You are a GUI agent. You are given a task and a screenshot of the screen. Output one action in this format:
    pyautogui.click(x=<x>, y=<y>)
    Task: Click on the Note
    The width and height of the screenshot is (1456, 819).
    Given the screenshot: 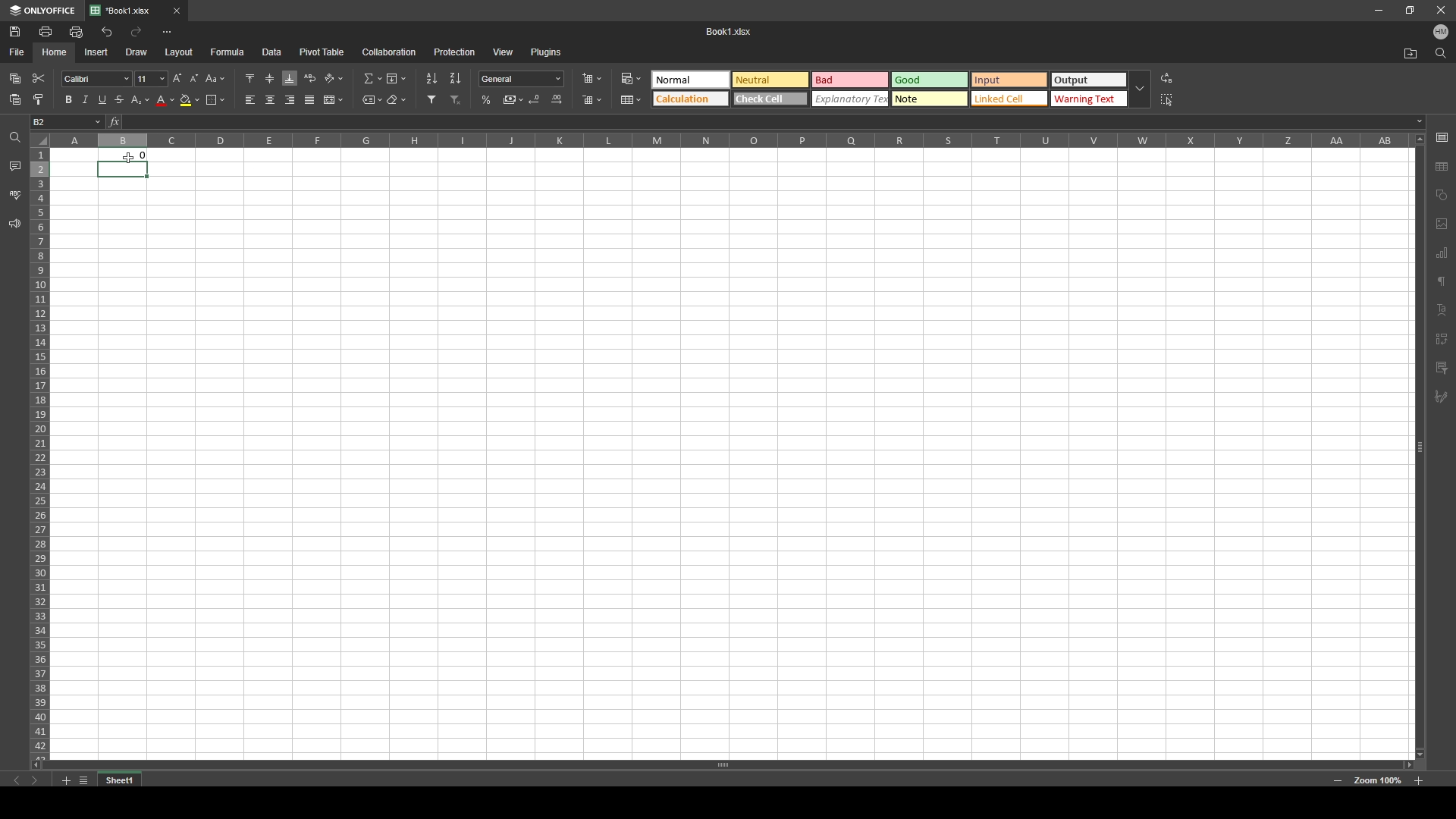 What is the action you would take?
    pyautogui.click(x=930, y=99)
    